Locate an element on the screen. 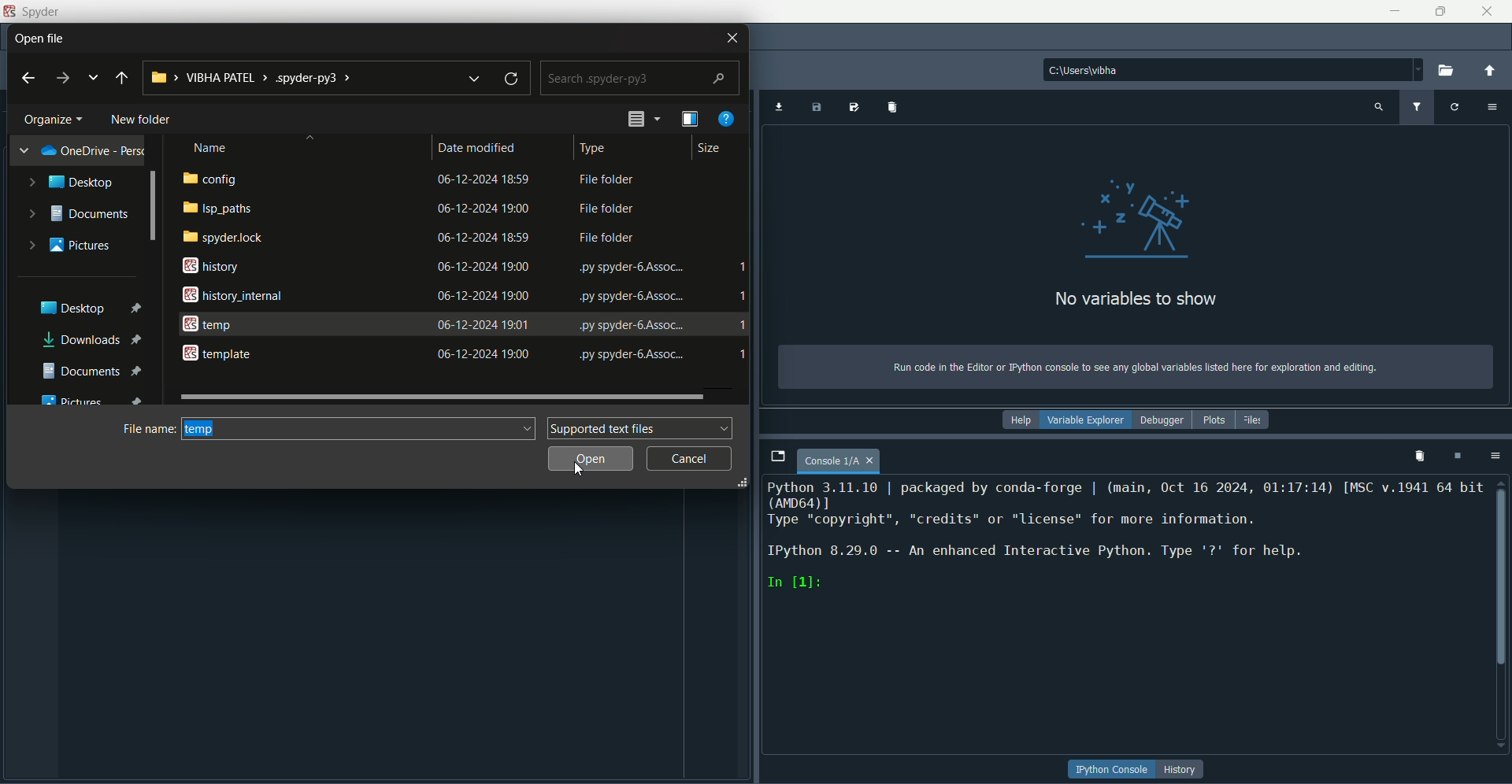 The height and width of the screenshot is (784, 1512). text is located at coordinates (631, 324).